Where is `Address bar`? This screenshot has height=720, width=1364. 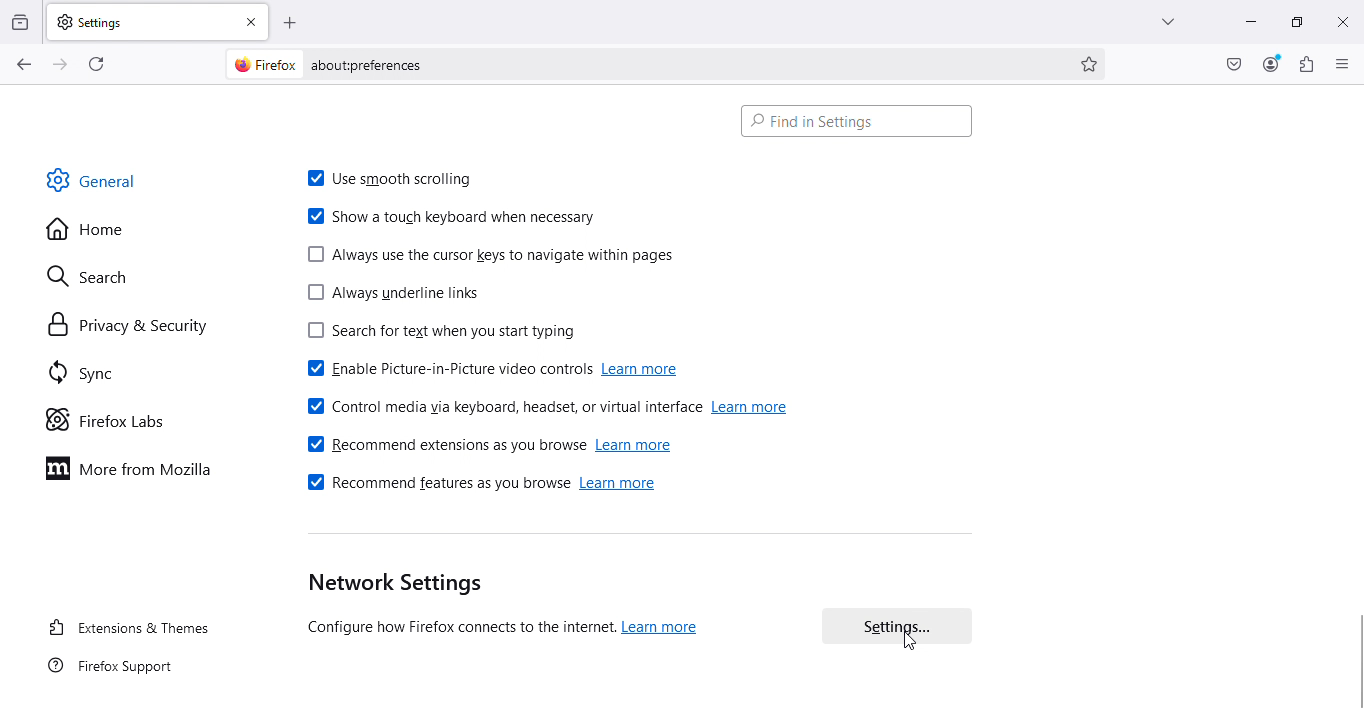
Address bar is located at coordinates (690, 64).